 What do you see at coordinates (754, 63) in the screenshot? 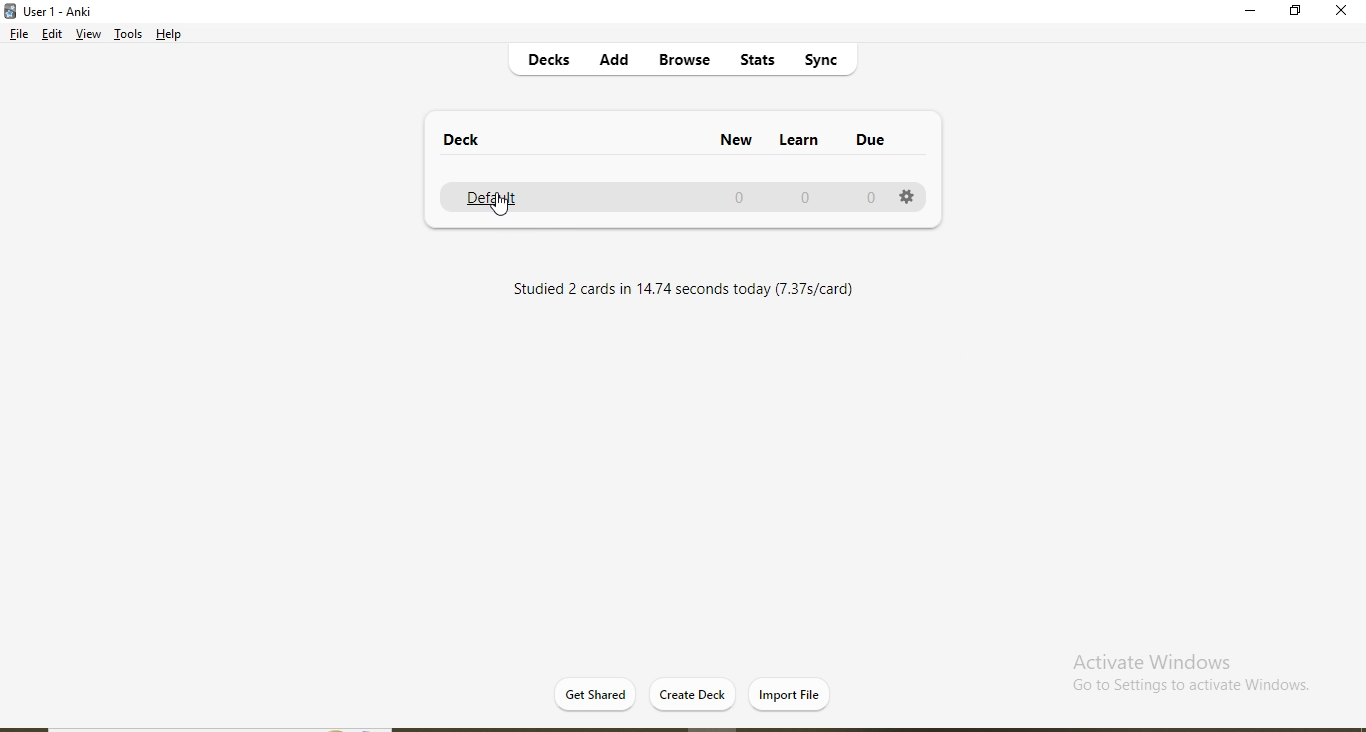
I see `stats` at bounding box center [754, 63].